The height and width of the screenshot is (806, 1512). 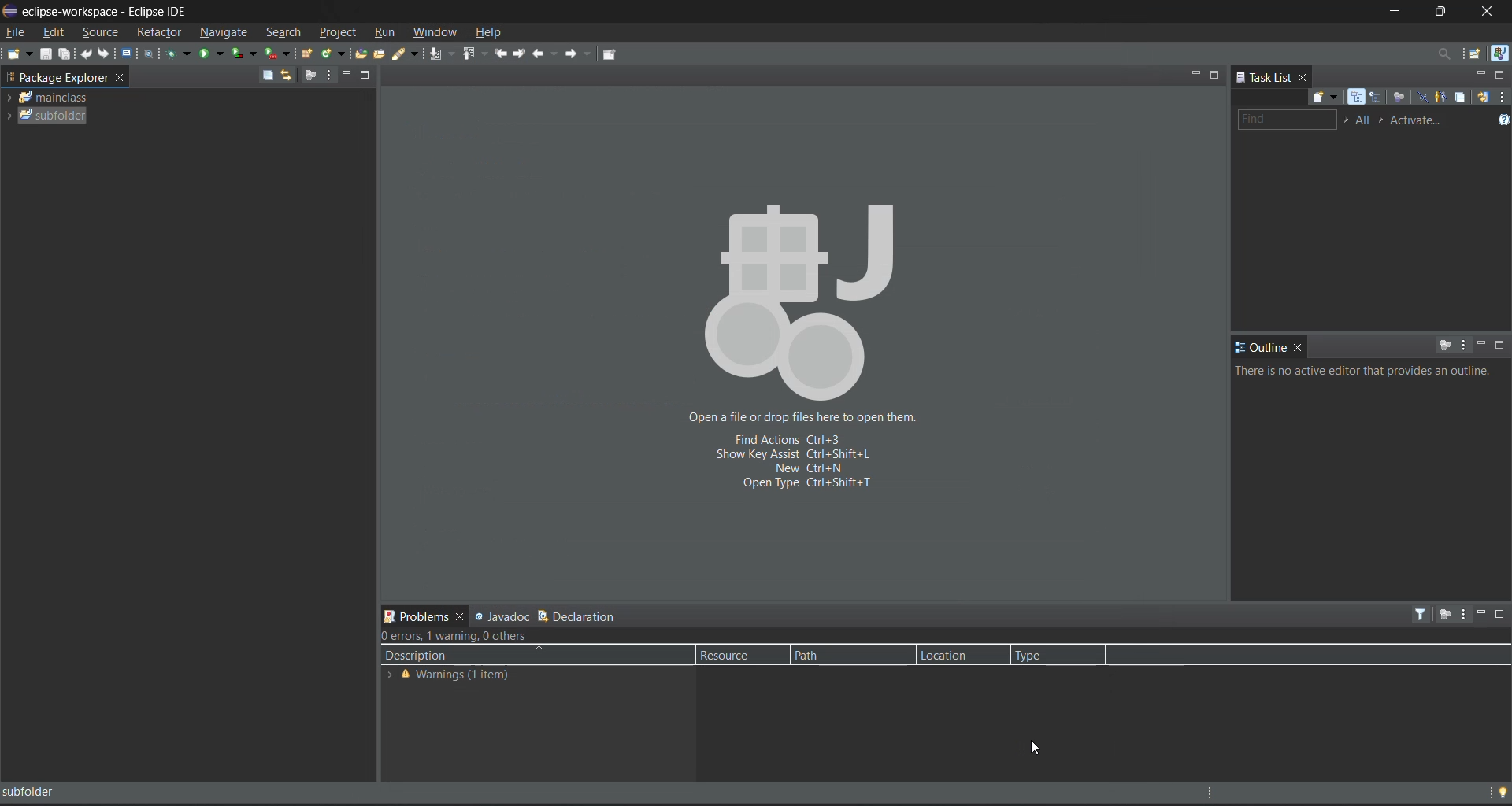 I want to click on view menu, so click(x=1463, y=615).